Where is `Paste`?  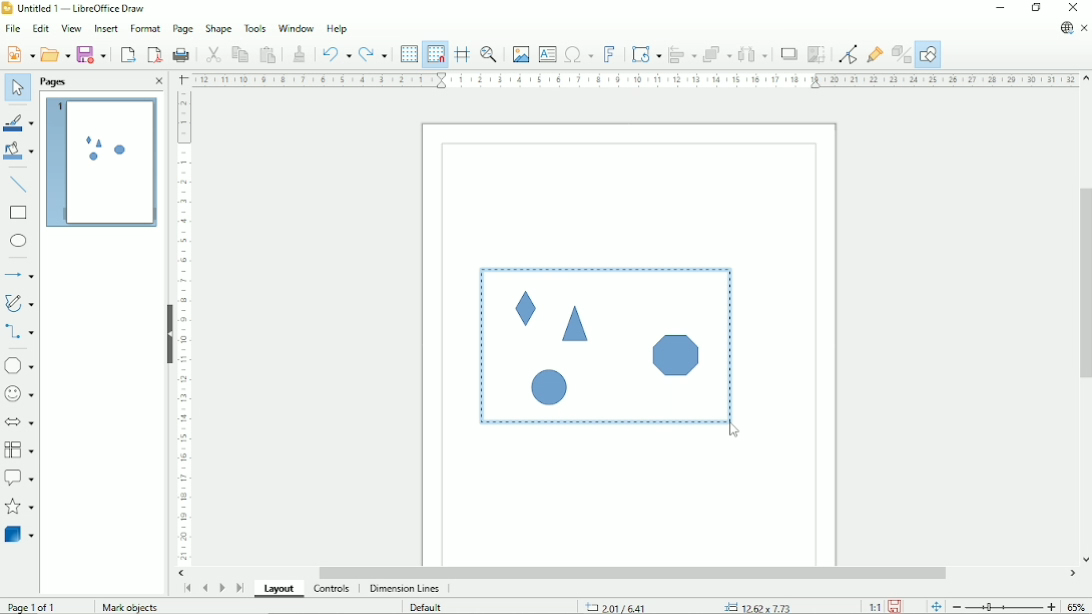 Paste is located at coordinates (268, 54).